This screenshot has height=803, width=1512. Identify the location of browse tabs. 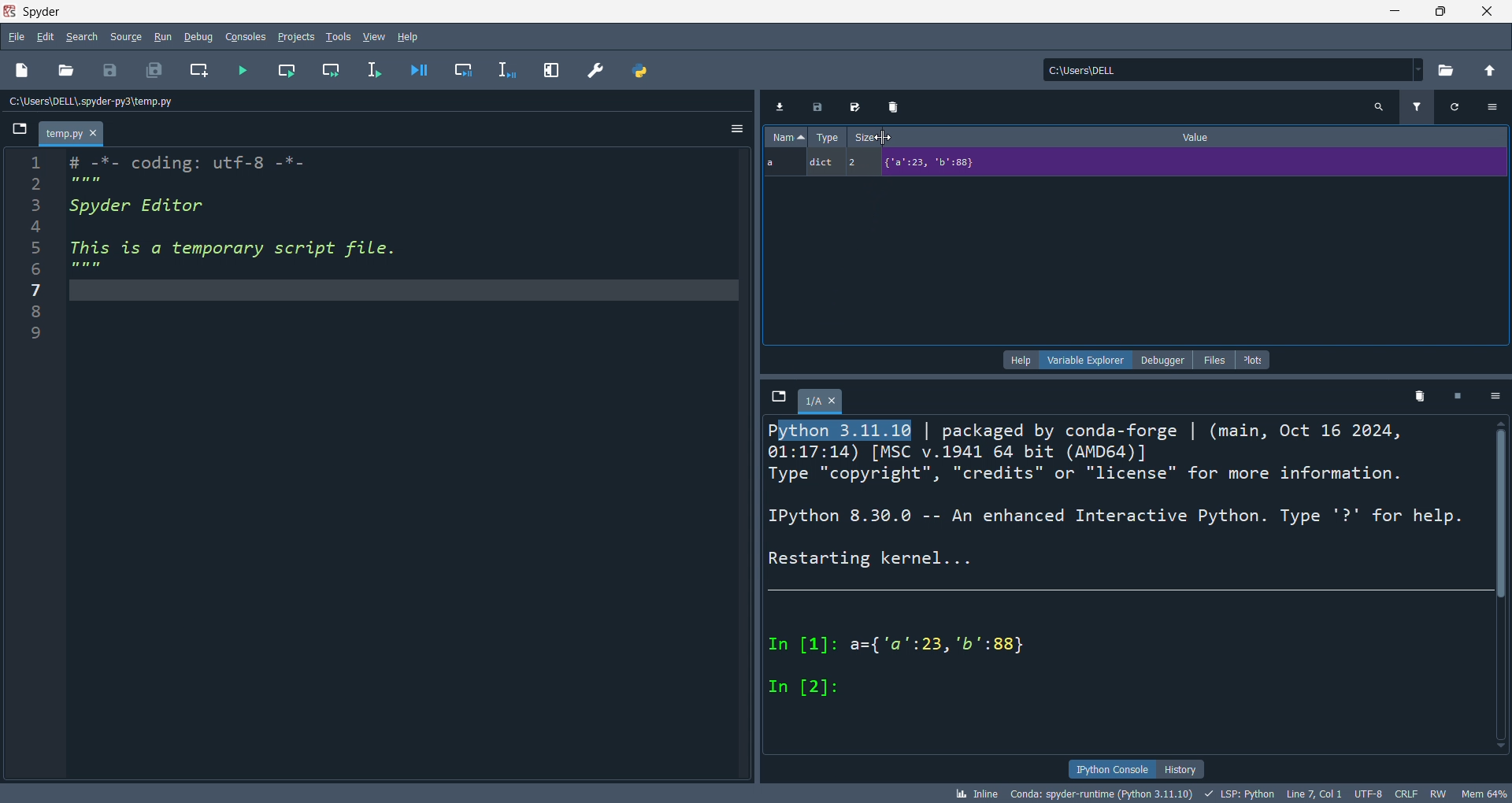
(775, 396).